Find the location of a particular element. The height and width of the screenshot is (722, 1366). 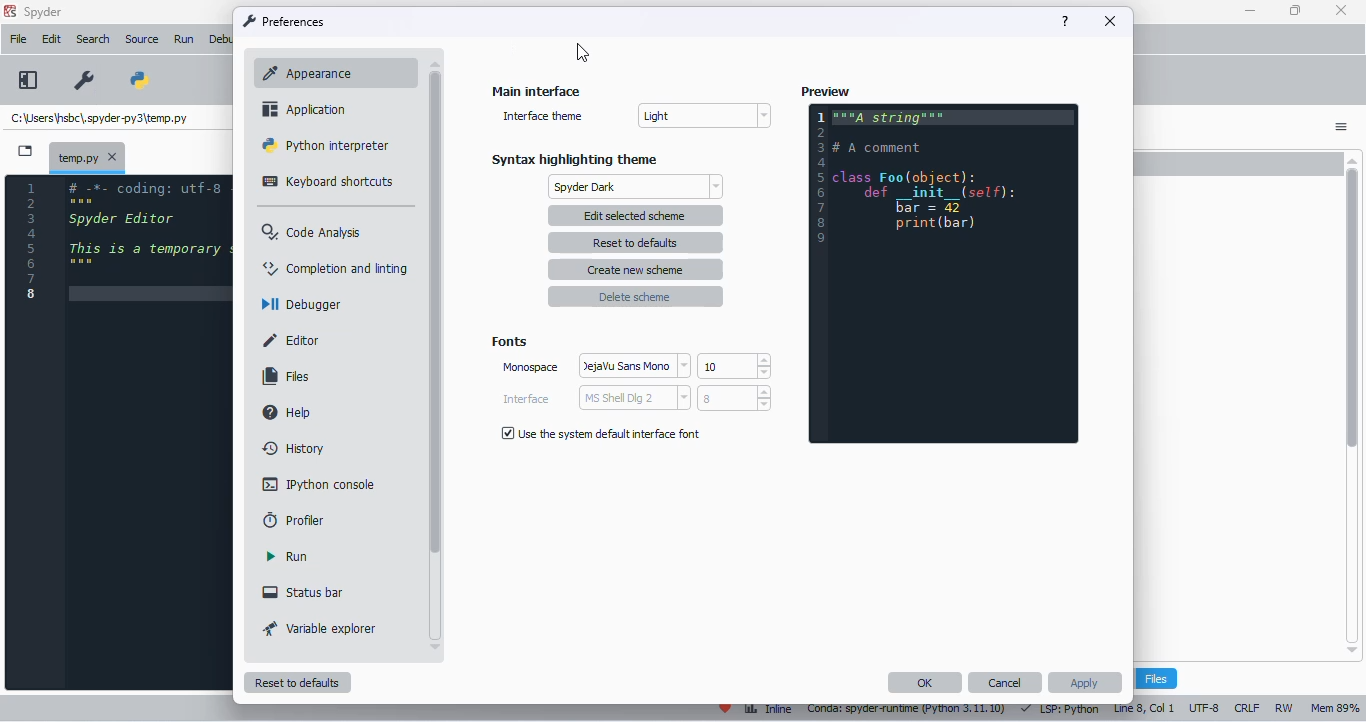

reset to defaults is located at coordinates (635, 243).